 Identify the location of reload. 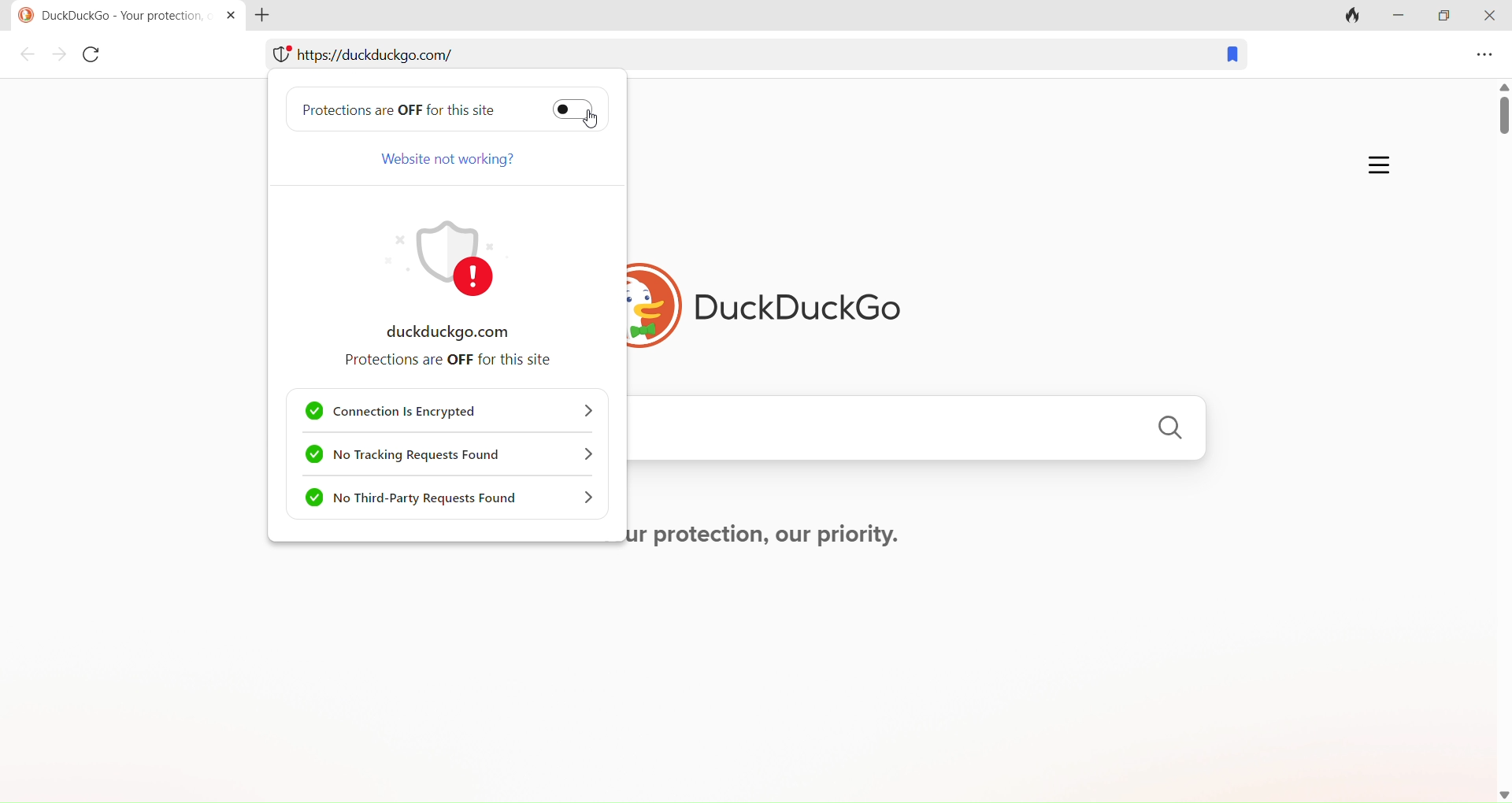
(95, 58).